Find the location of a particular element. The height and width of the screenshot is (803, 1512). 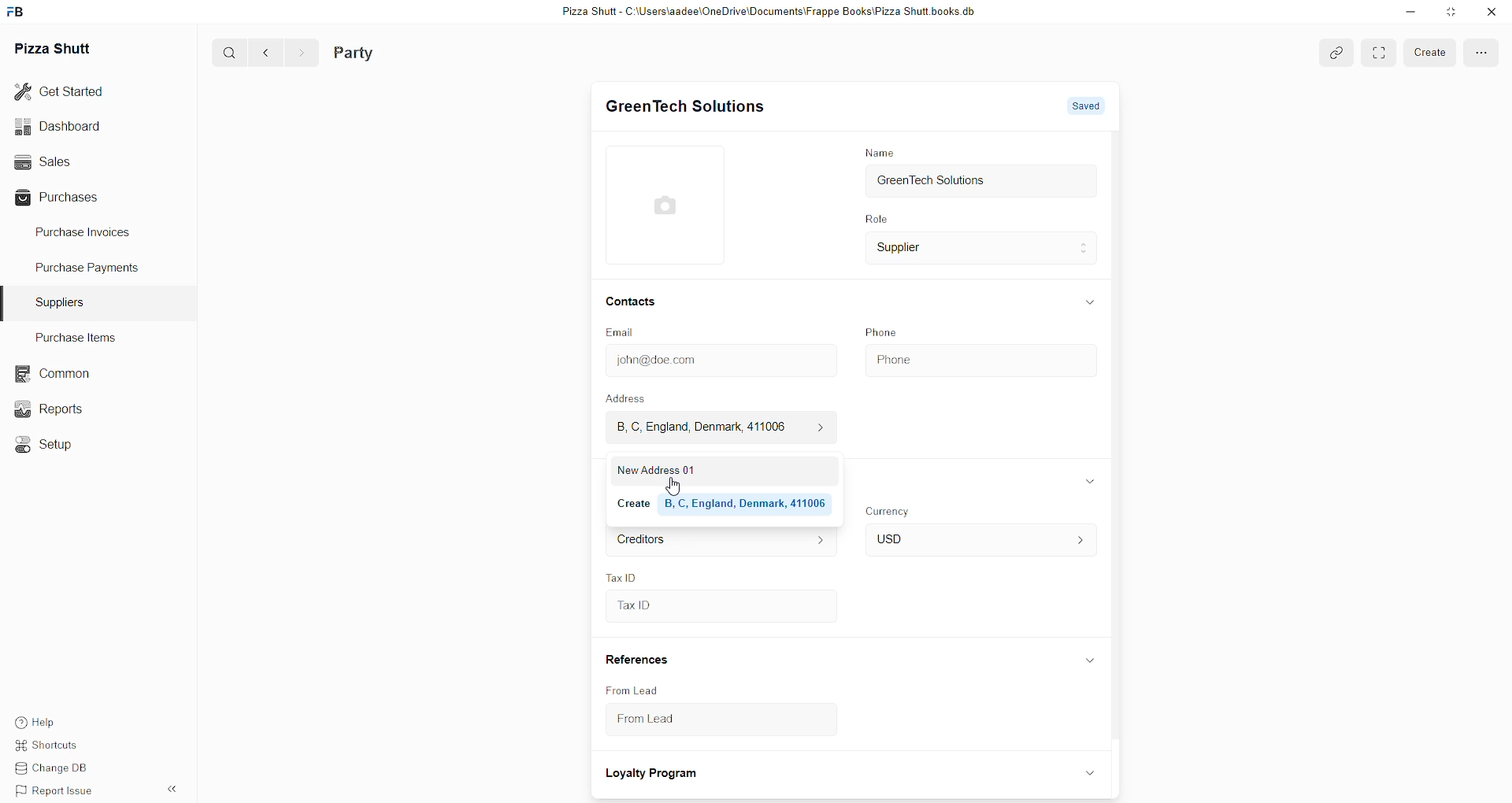

Purchases is located at coordinates (76, 197).